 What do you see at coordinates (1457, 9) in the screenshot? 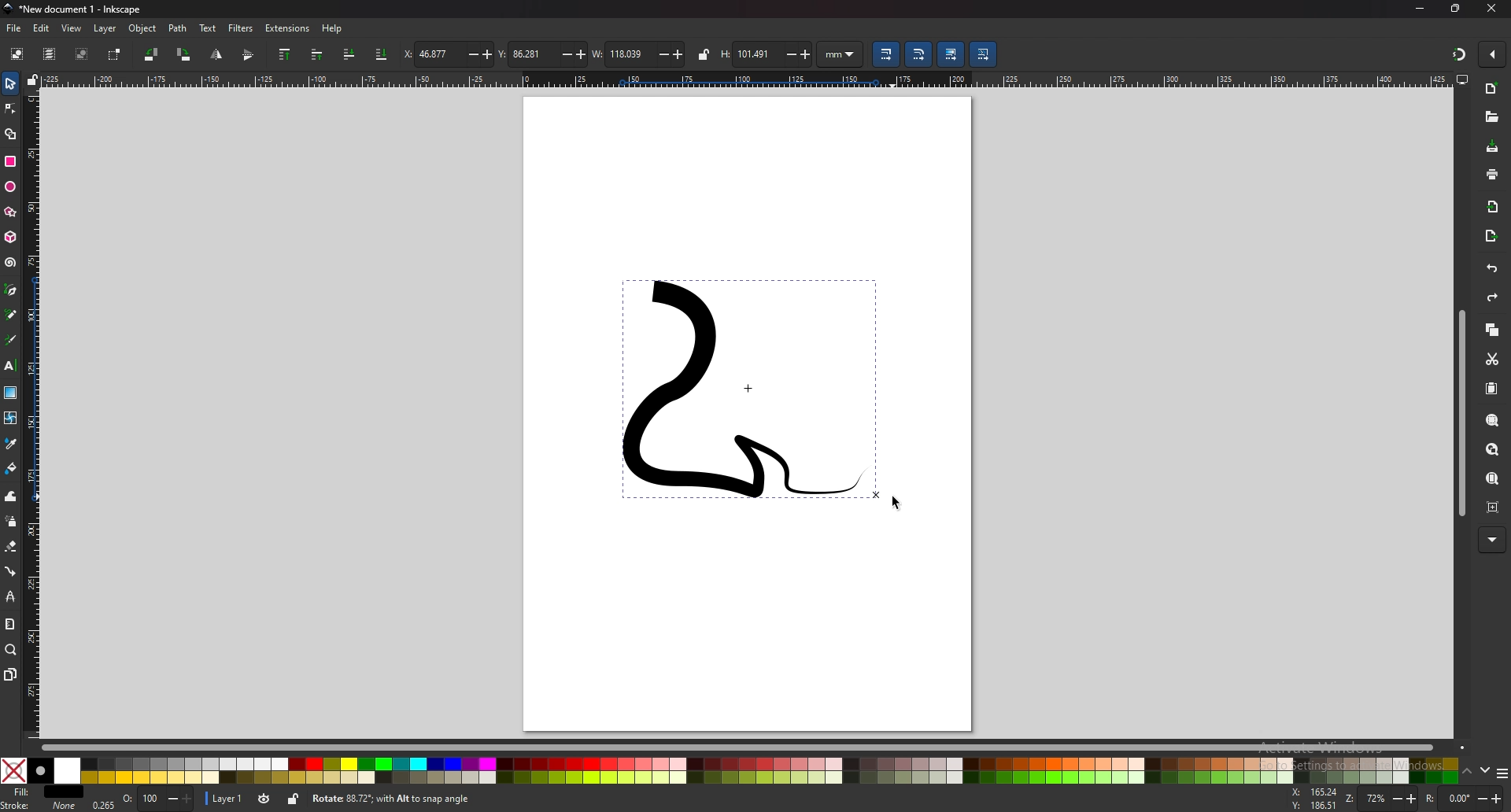
I see `resize` at bounding box center [1457, 9].